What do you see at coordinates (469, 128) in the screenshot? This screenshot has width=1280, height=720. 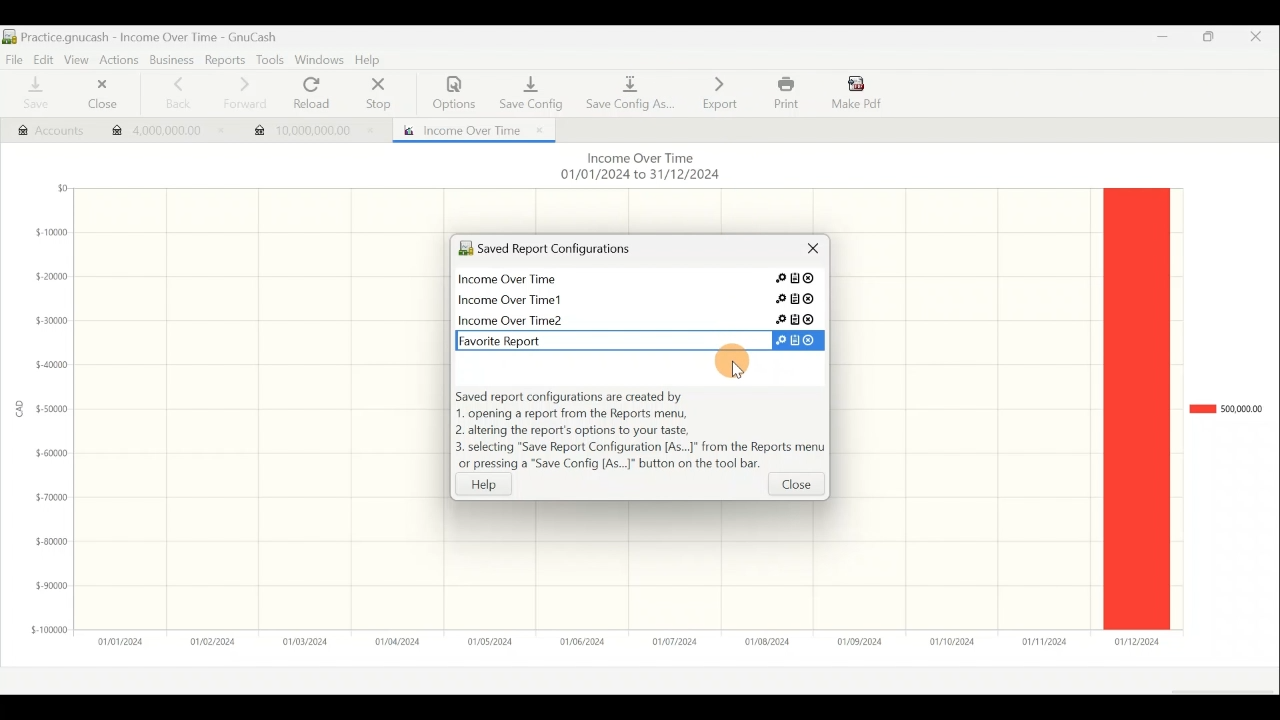 I see `Report` at bounding box center [469, 128].